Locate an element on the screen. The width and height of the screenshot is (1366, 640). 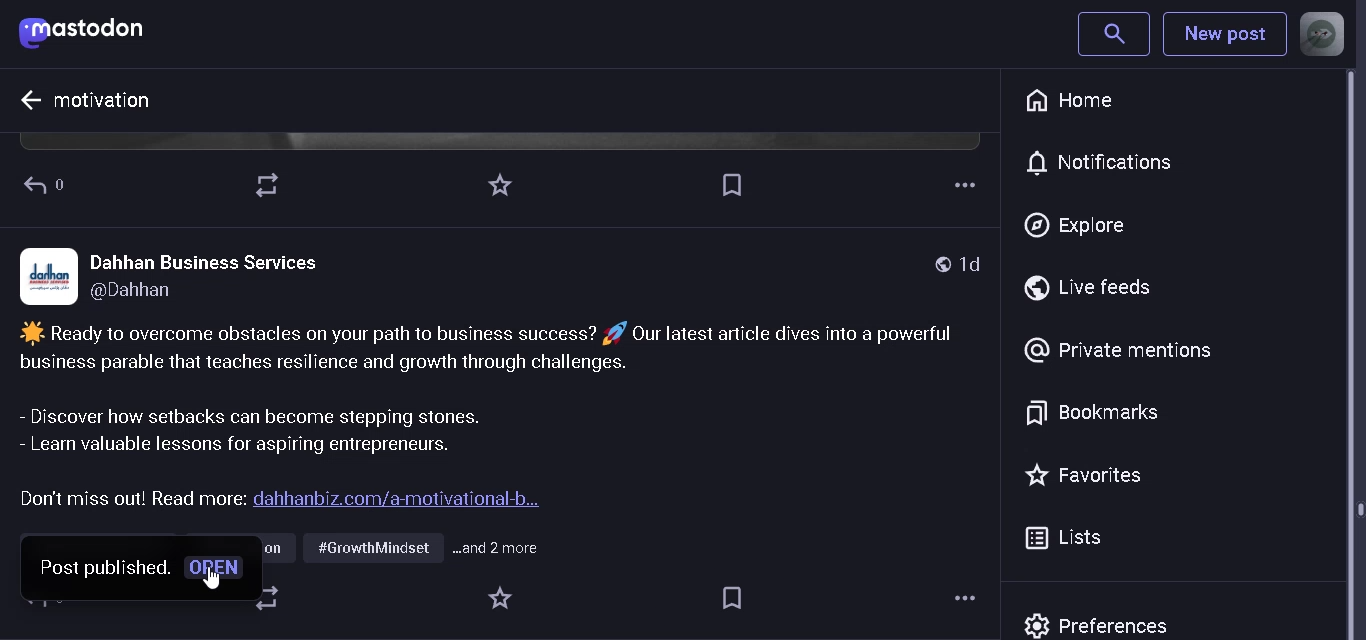
Favorite is located at coordinates (500, 599).